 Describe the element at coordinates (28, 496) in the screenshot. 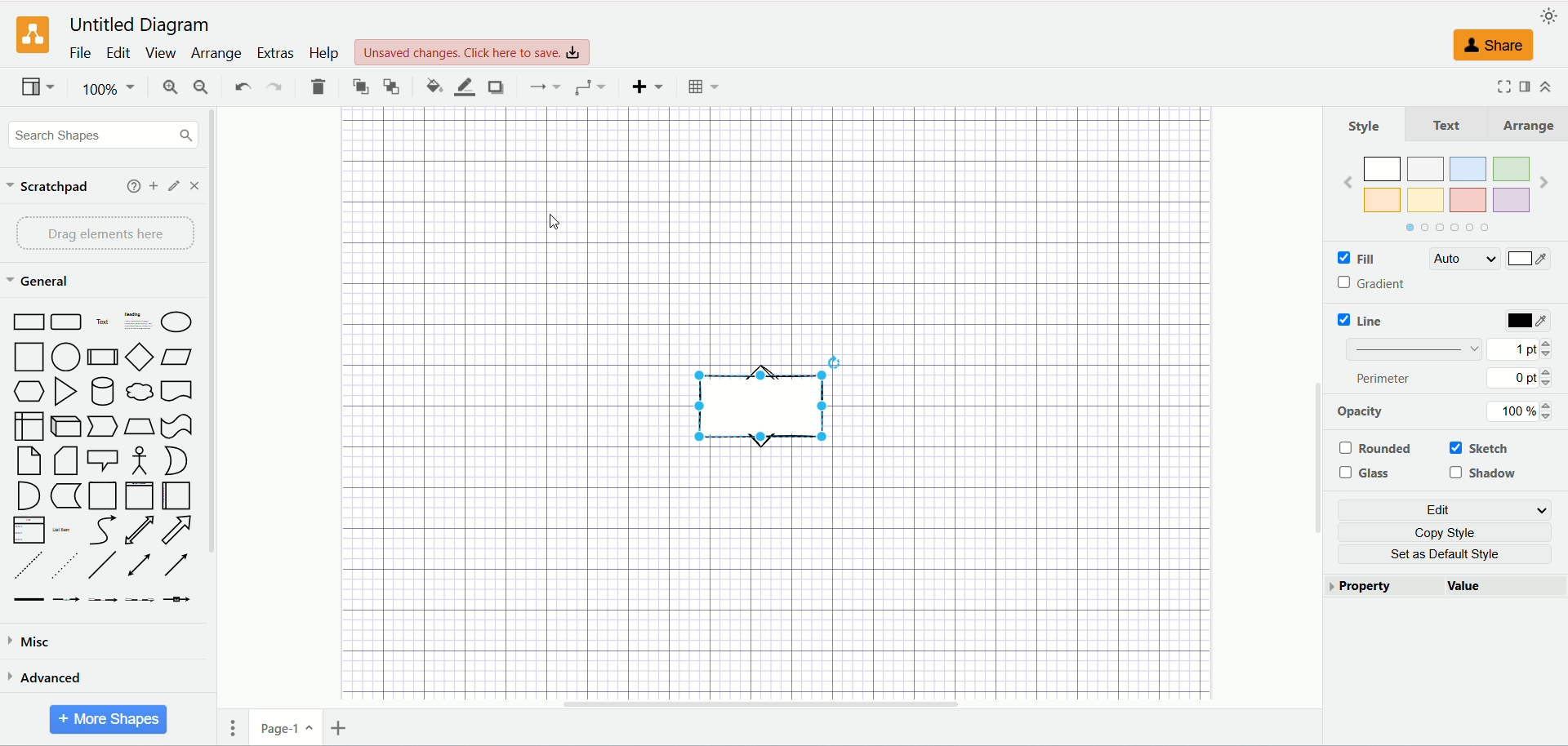

I see `AND` at that location.